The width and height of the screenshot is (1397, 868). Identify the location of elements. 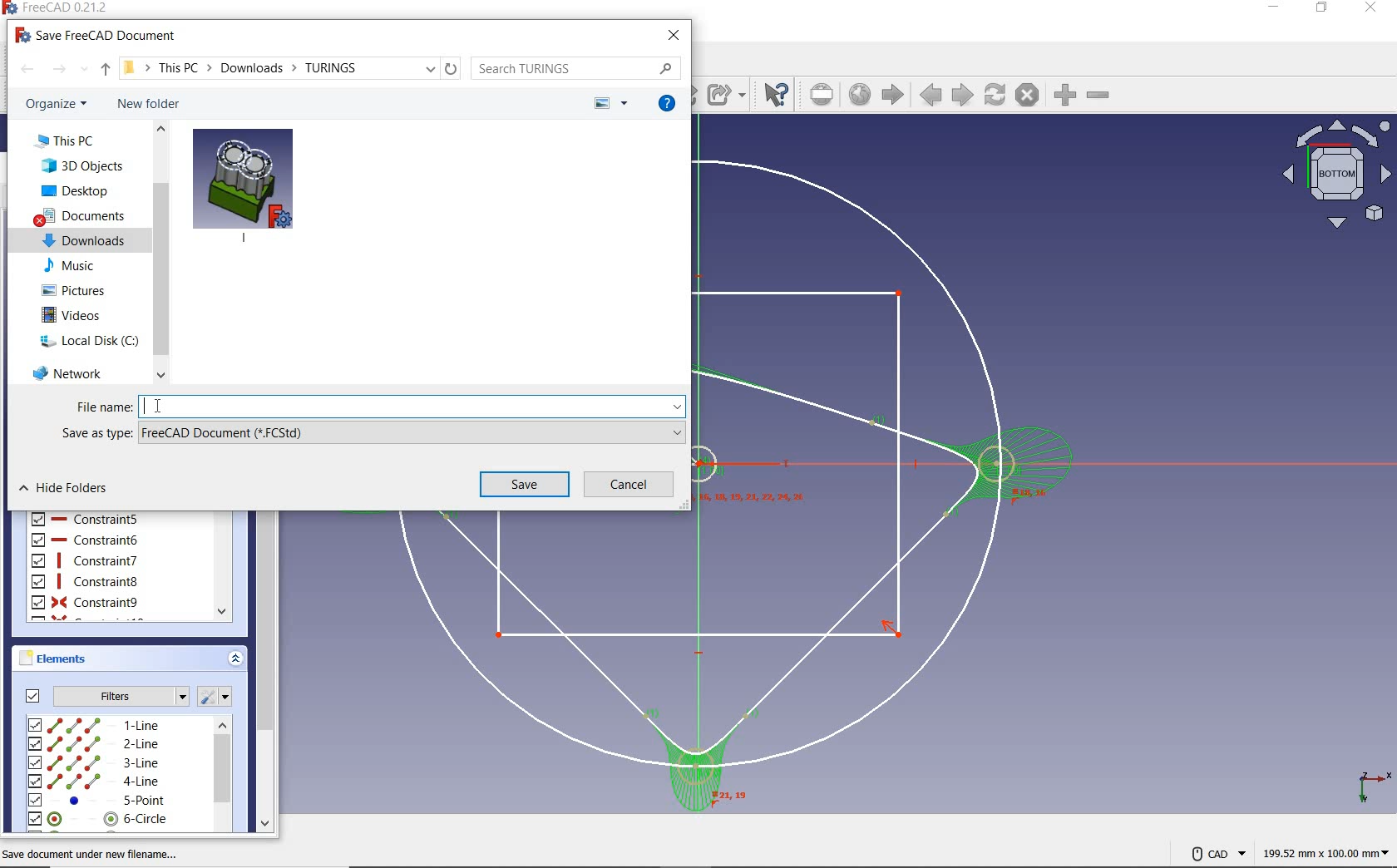
(77, 658).